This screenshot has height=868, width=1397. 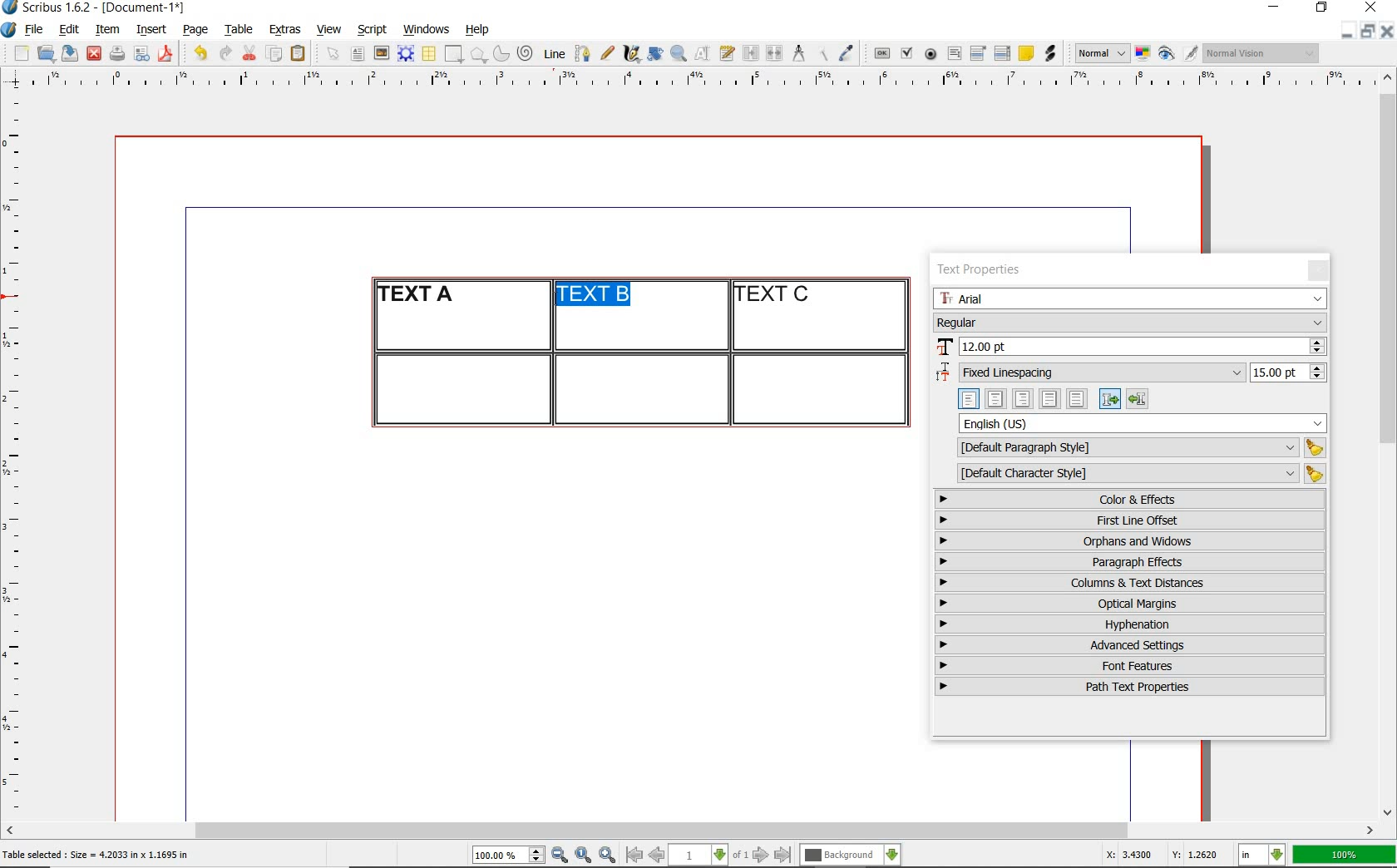 I want to click on path text properties, so click(x=1128, y=687).